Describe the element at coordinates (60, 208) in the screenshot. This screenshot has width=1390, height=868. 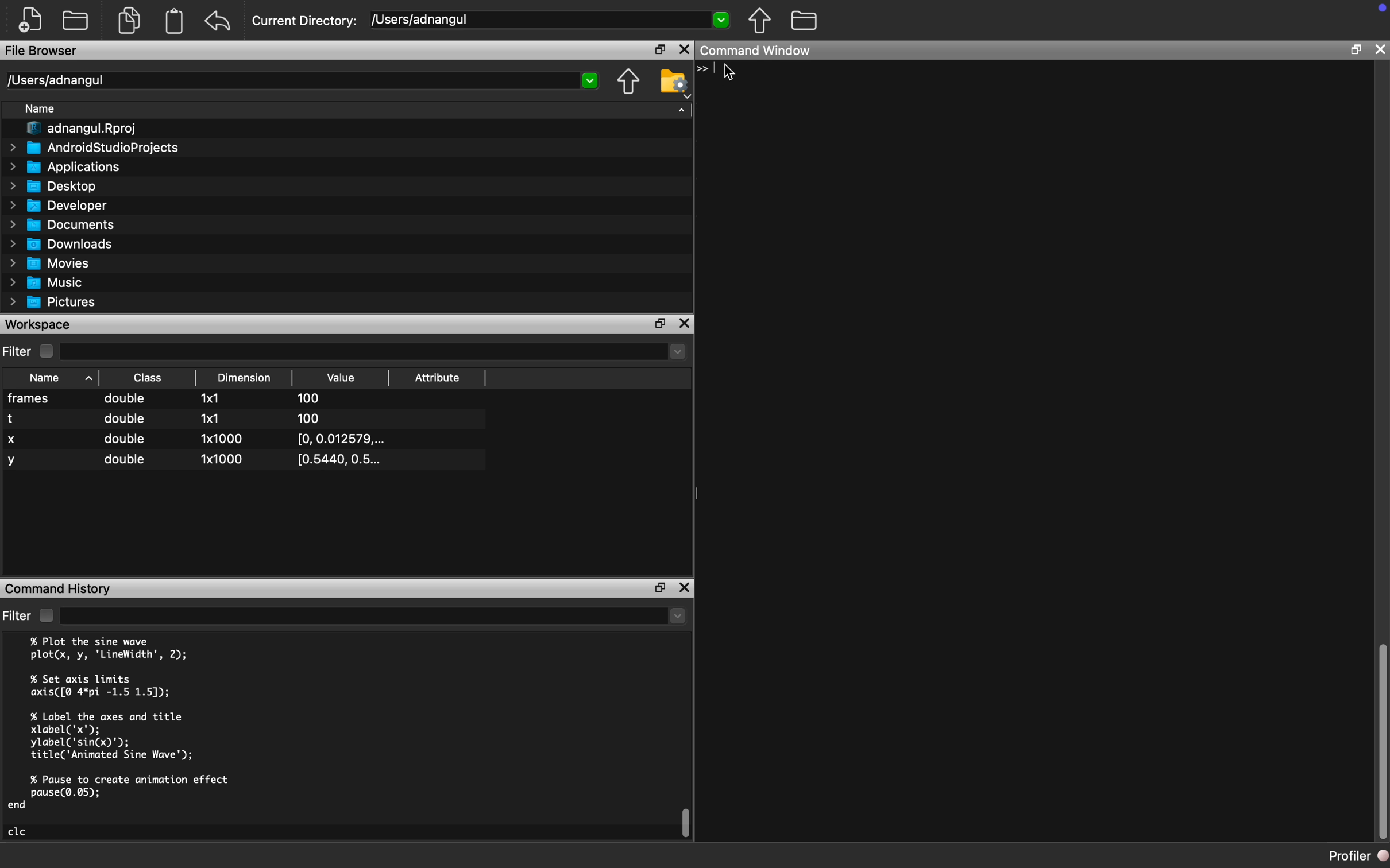
I see `Developer` at that location.